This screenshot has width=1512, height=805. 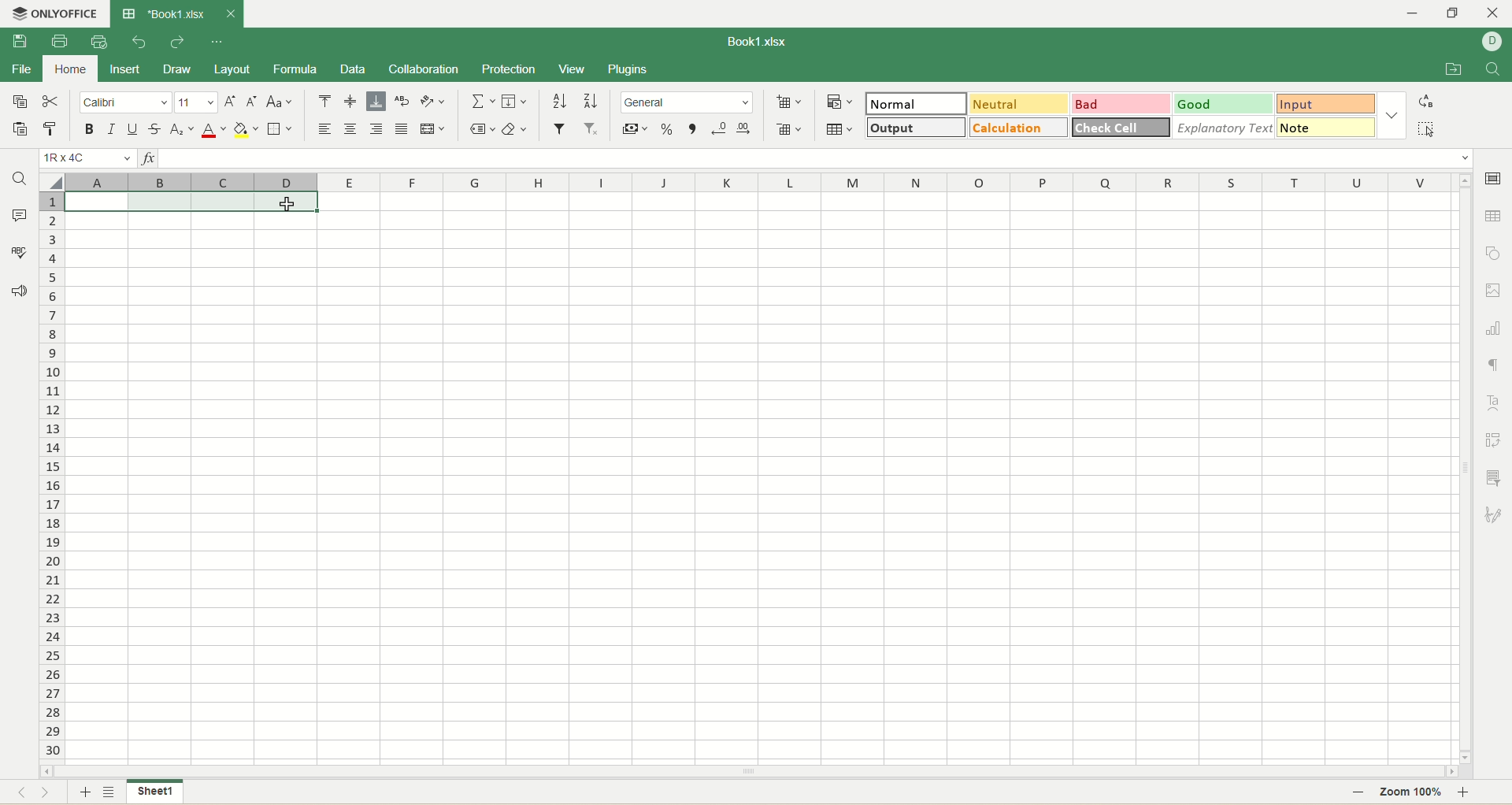 I want to click on justified, so click(x=402, y=130).